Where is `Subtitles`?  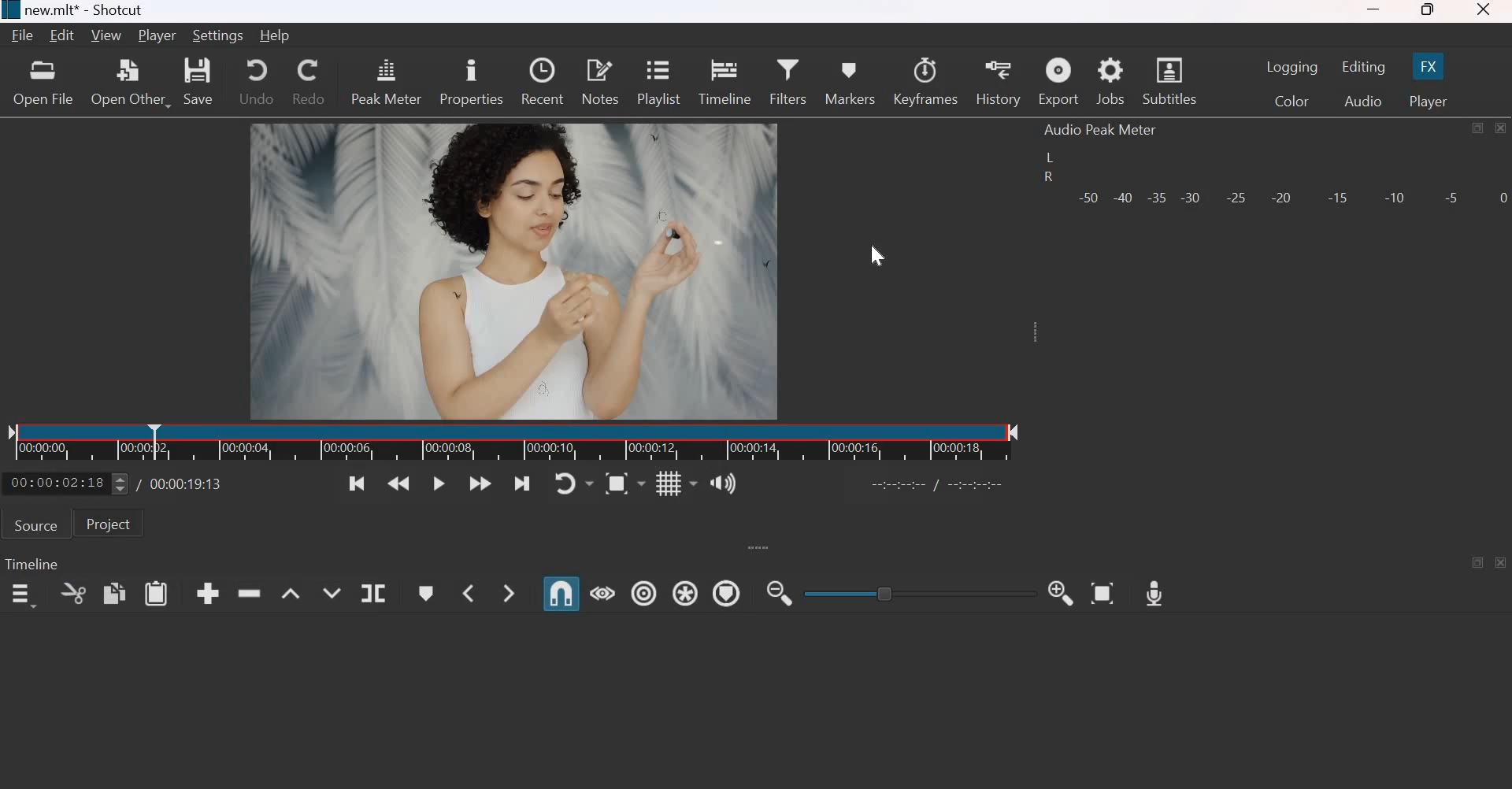
Subtitles is located at coordinates (1169, 80).